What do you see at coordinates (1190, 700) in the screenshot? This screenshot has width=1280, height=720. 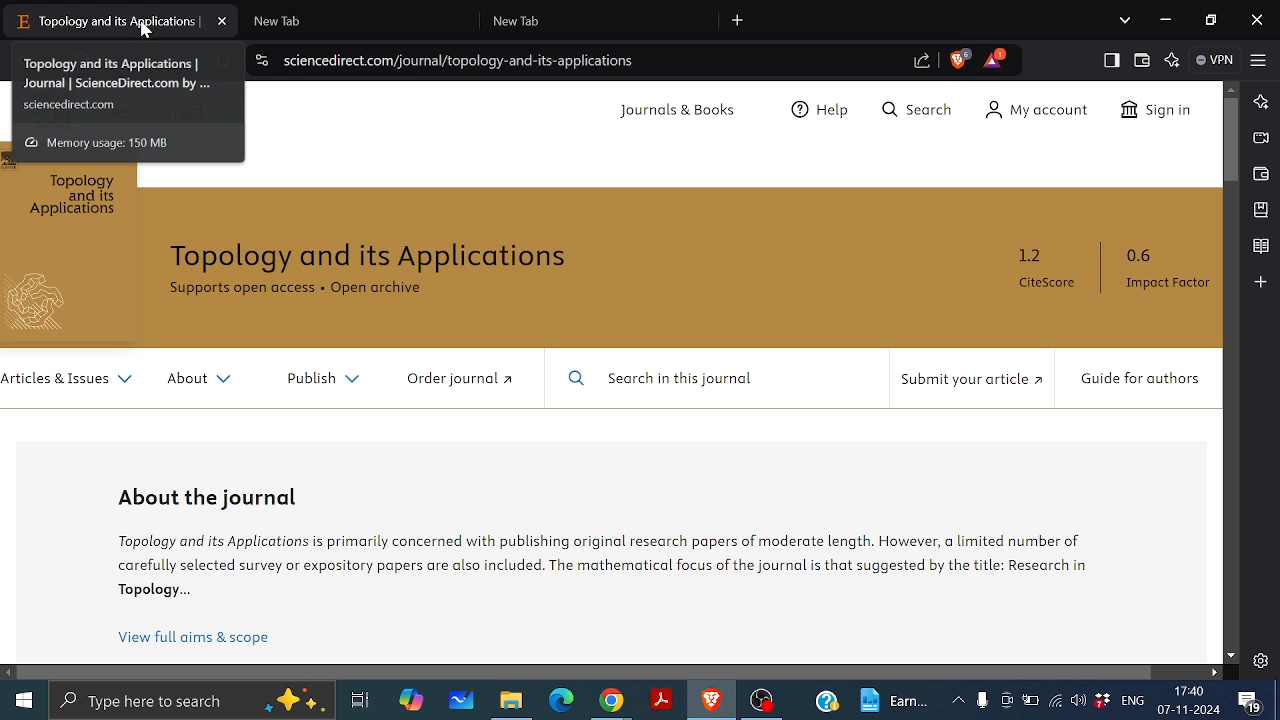 I see `Date and time` at bounding box center [1190, 700].